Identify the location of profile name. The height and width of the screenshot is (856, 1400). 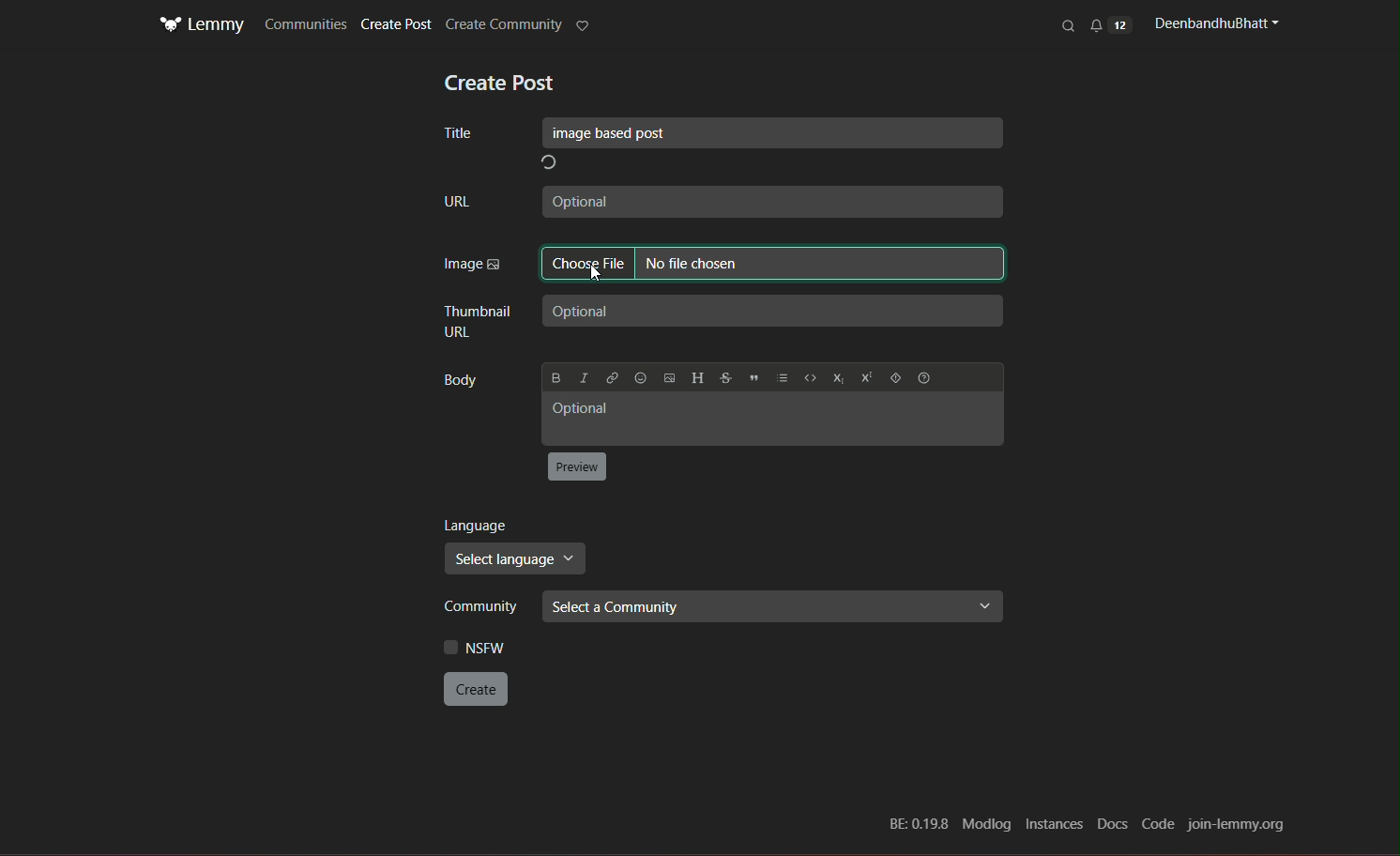
(1213, 23).